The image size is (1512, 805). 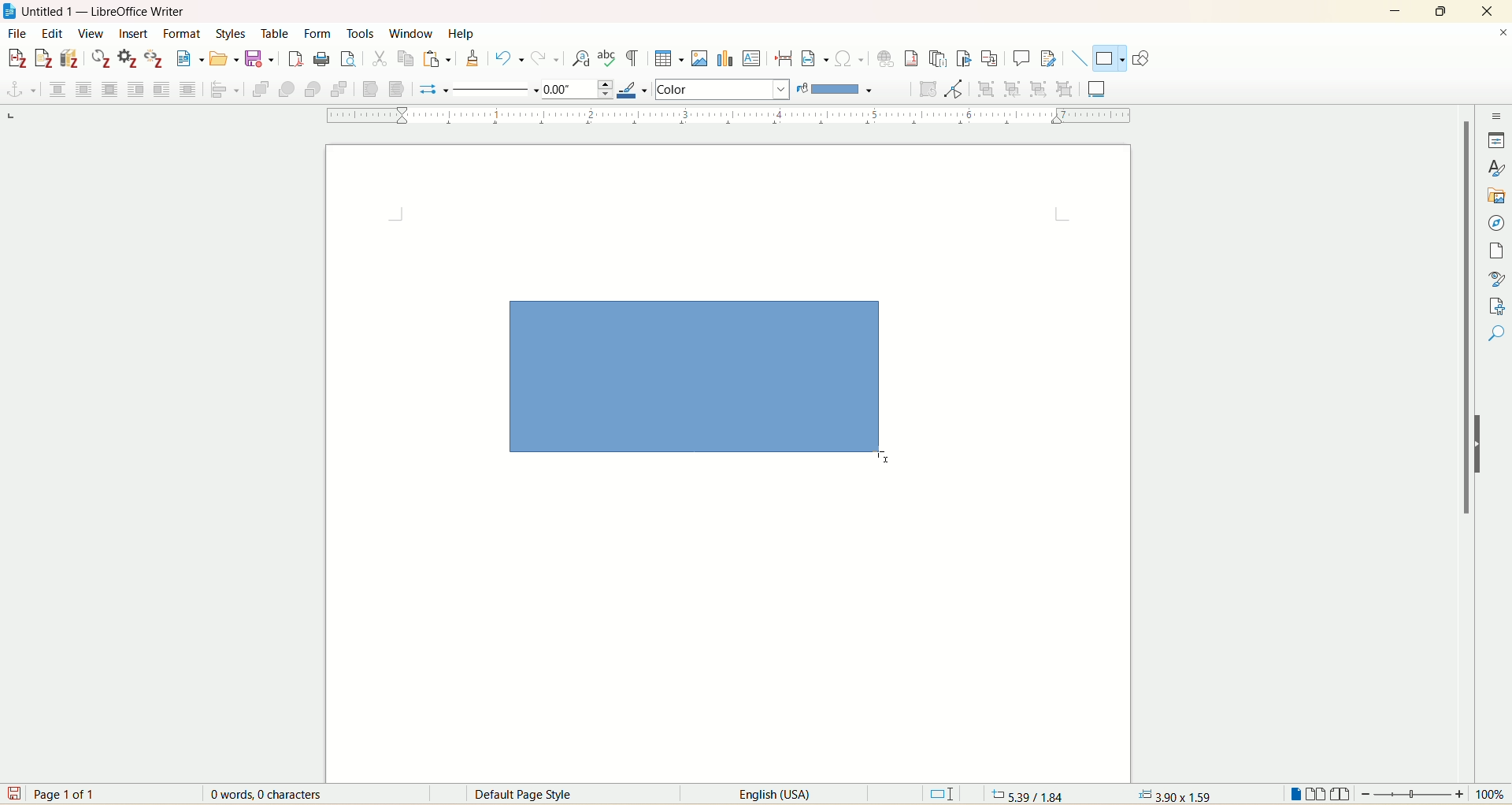 What do you see at coordinates (57, 89) in the screenshot?
I see `none` at bounding box center [57, 89].